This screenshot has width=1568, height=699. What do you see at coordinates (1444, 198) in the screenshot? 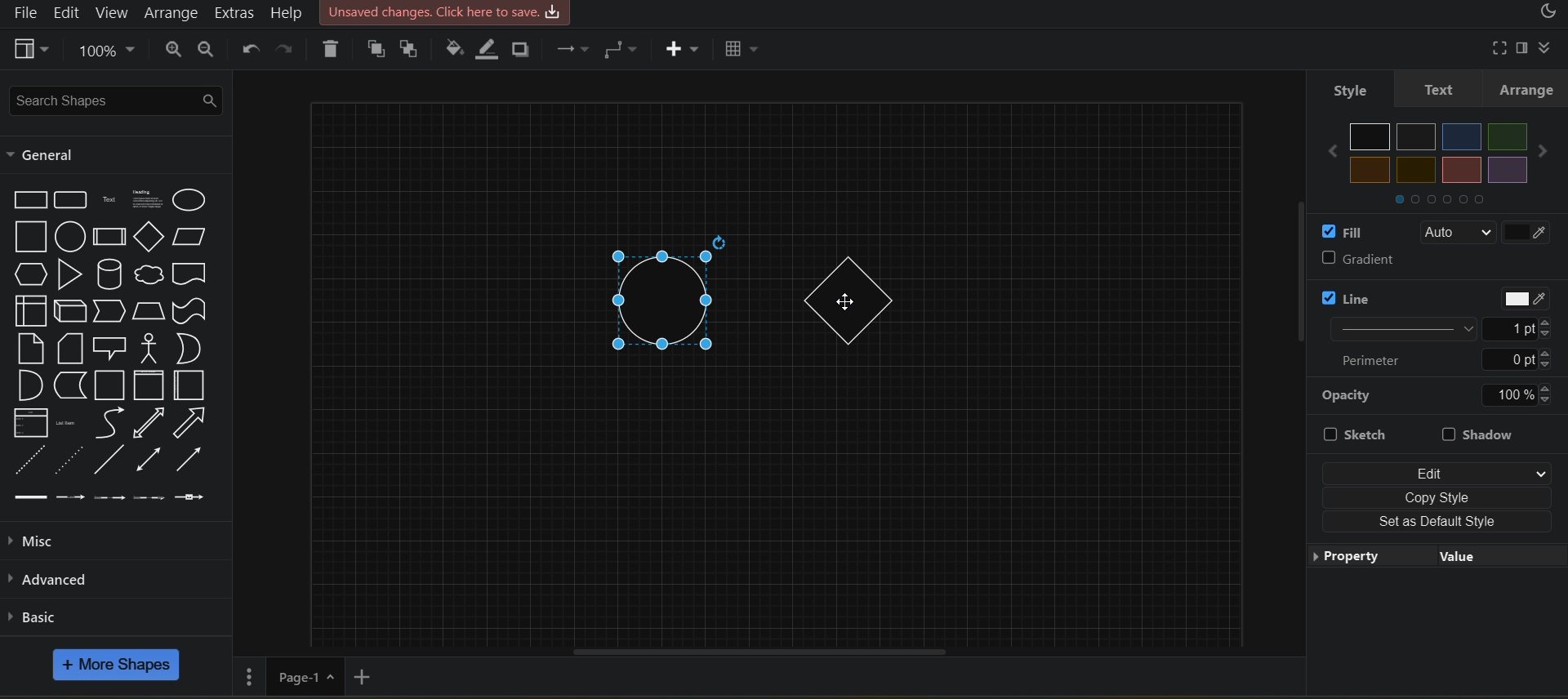
I see `` at bounding box center [1444, 198].